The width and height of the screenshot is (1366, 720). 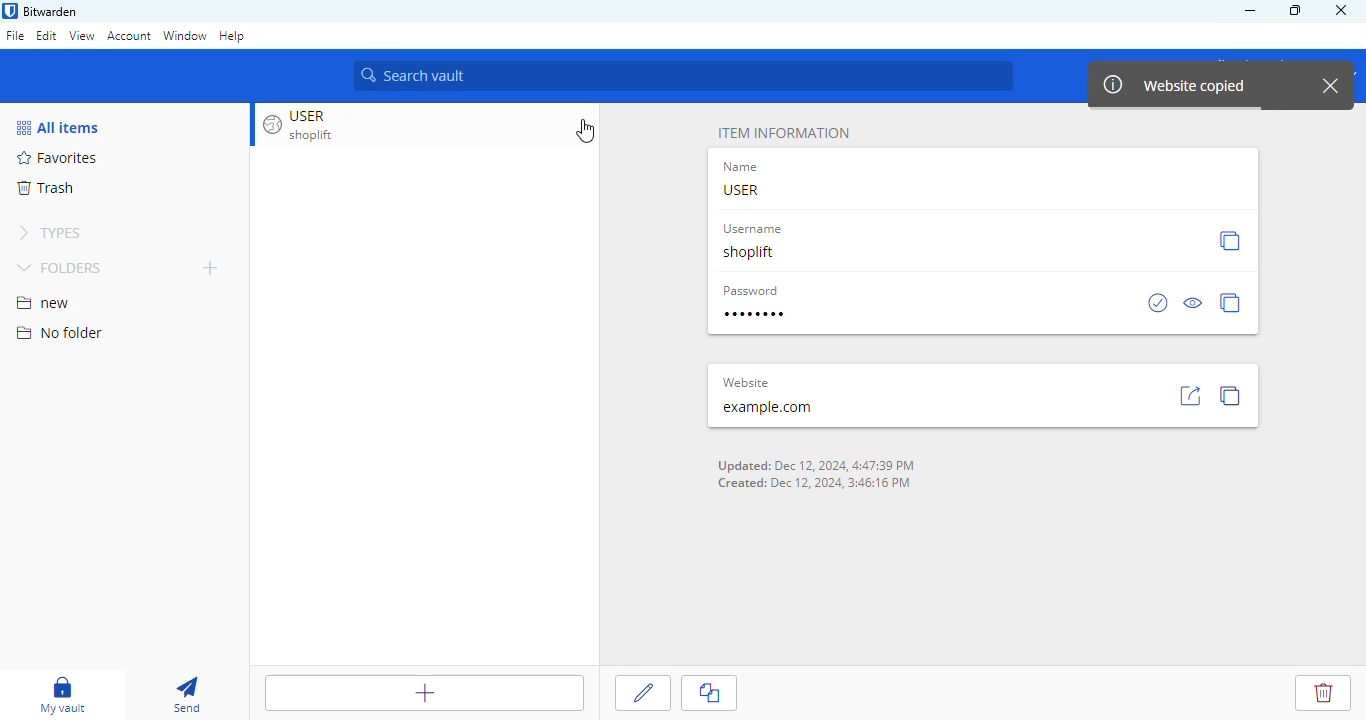 I want to click on copy URL, so click(x=1233, y=394).